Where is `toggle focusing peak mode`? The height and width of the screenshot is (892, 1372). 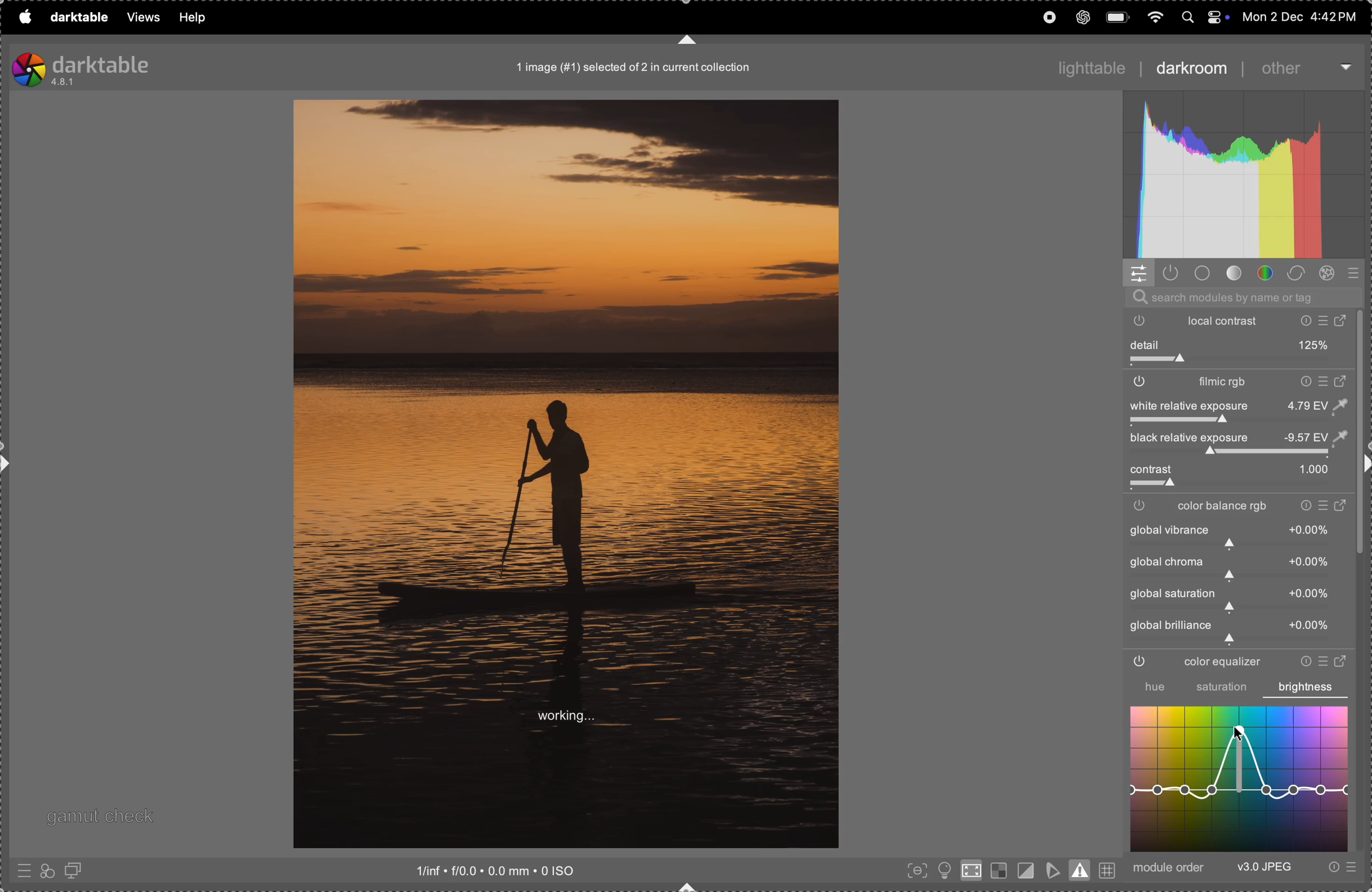 toggle focusing peak mode is located at coordinates (914, 871).